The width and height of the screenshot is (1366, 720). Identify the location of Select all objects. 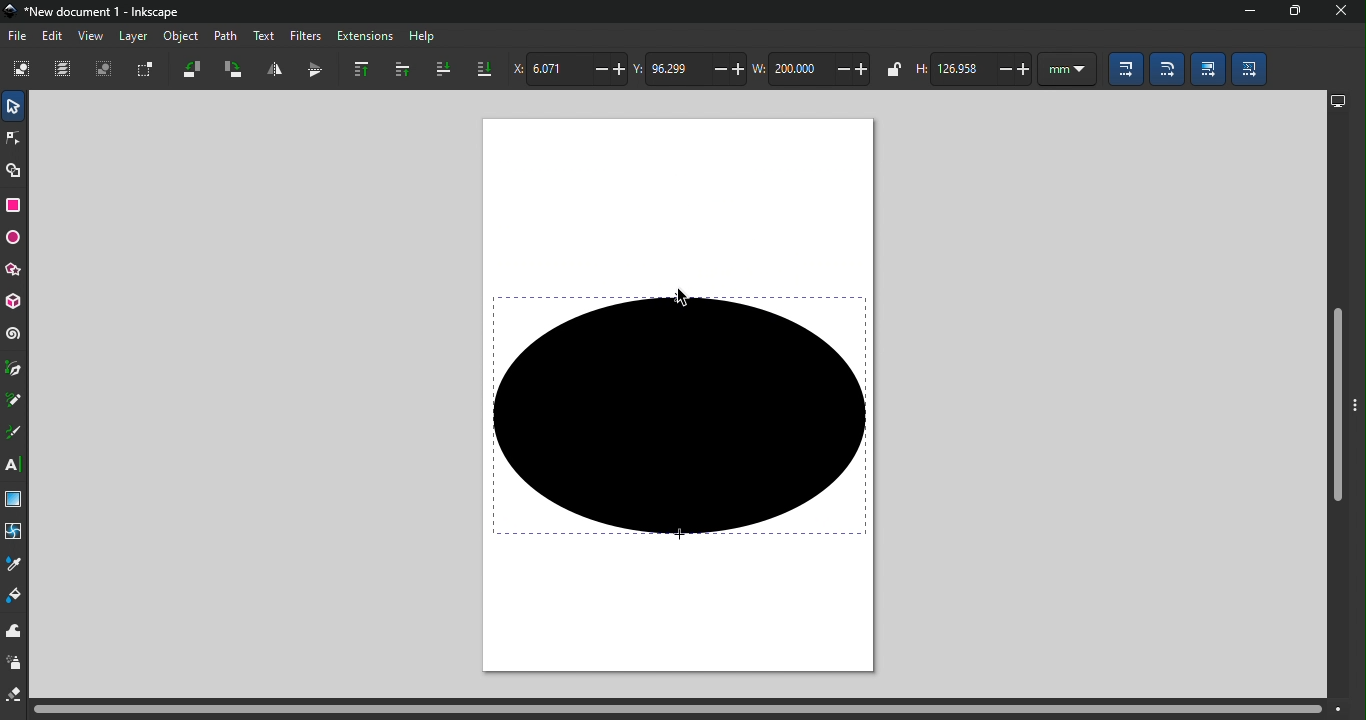
(25, 68).